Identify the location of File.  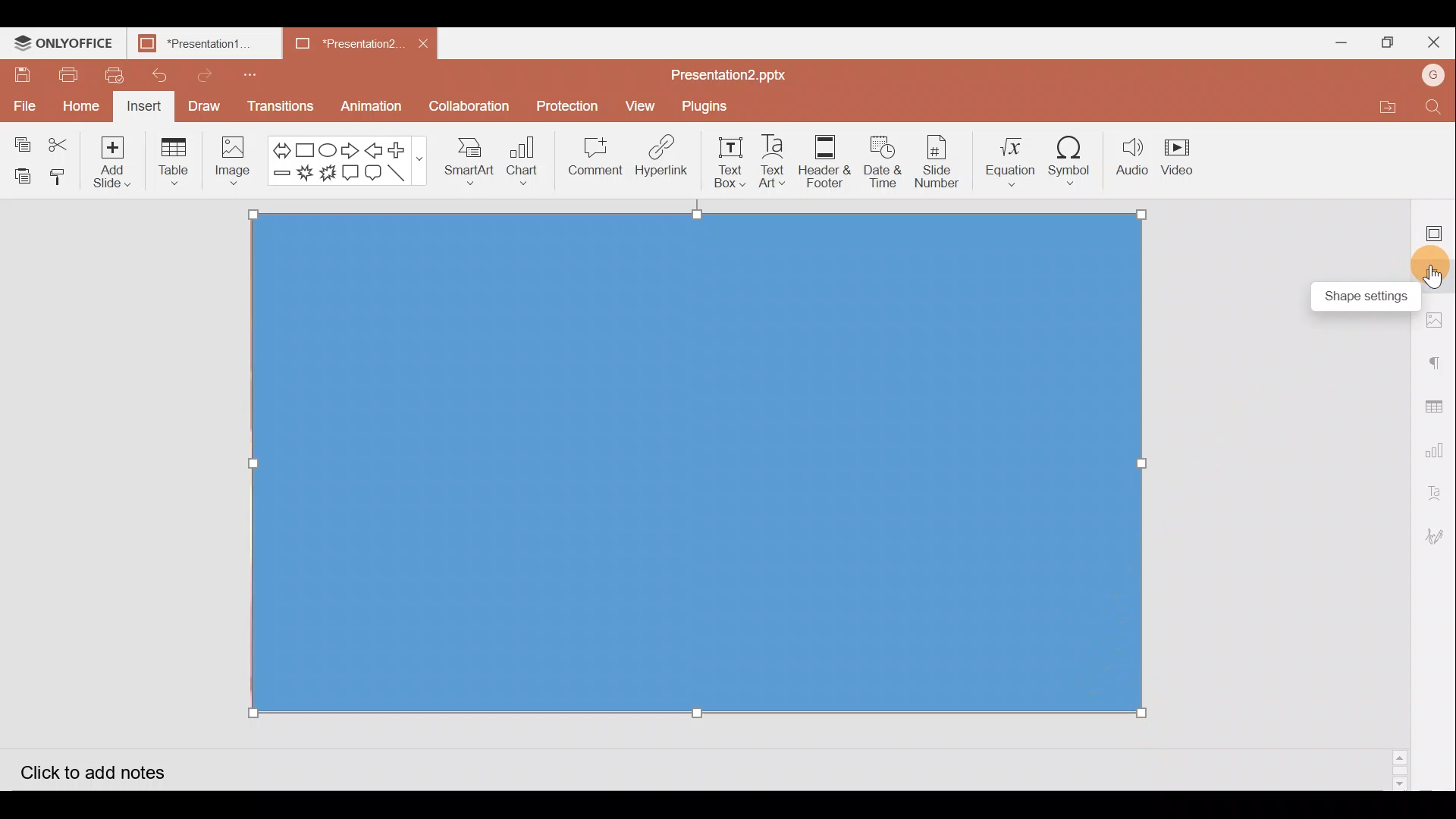
(23, 106).